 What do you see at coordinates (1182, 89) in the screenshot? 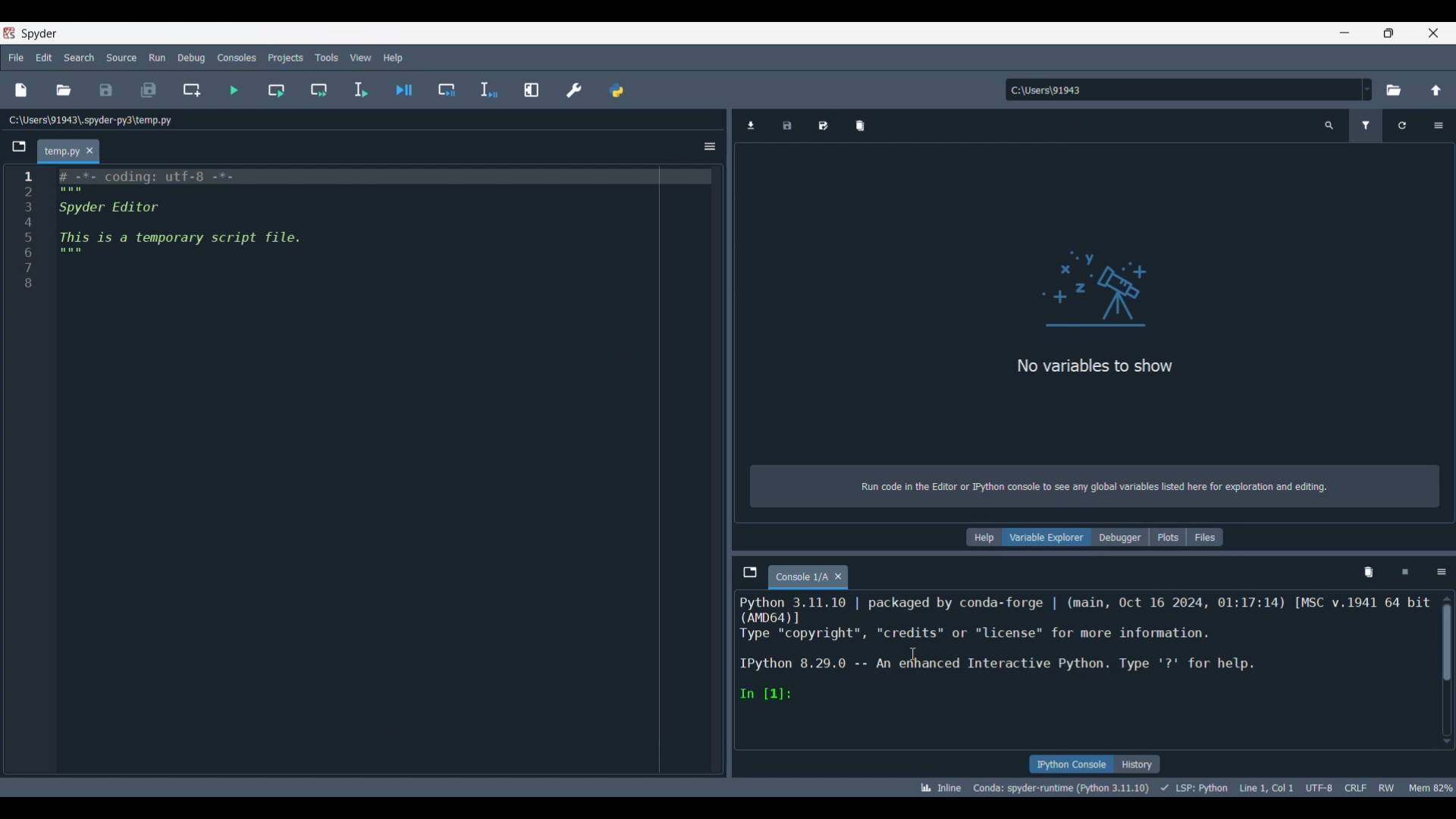
I see `Enter location` at bounding box center [1182, 89].